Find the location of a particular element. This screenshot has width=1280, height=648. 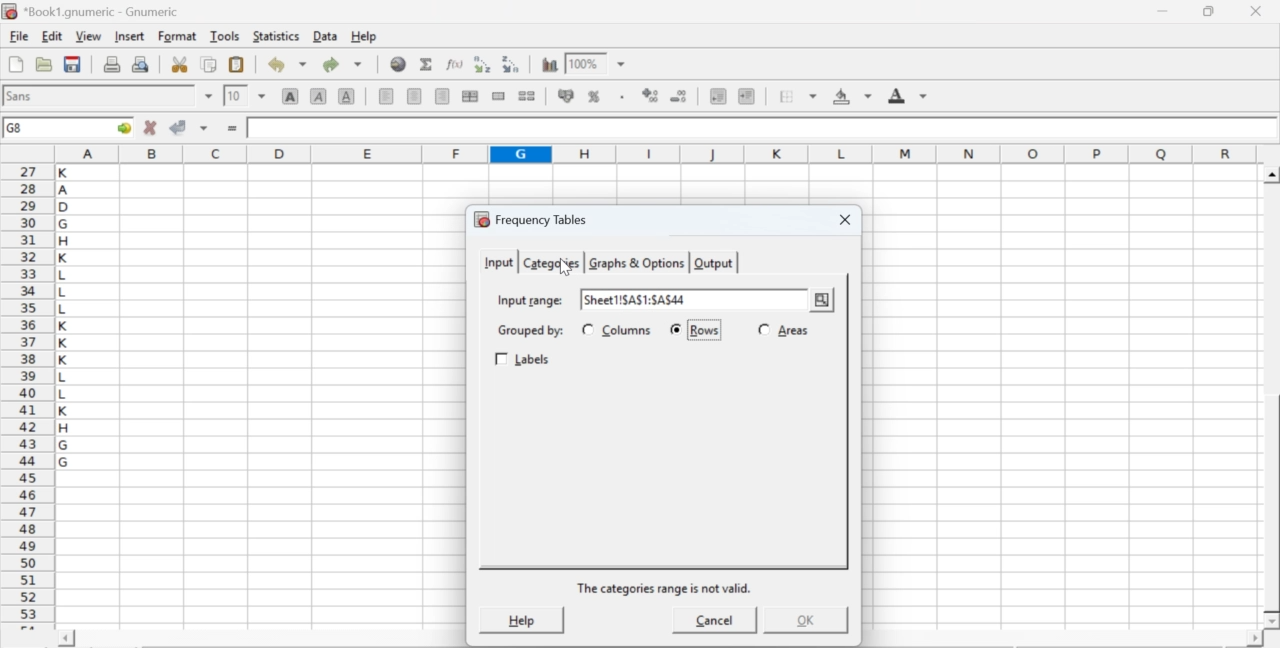

split merged ranges of cells is located at coordinates (526, 95).